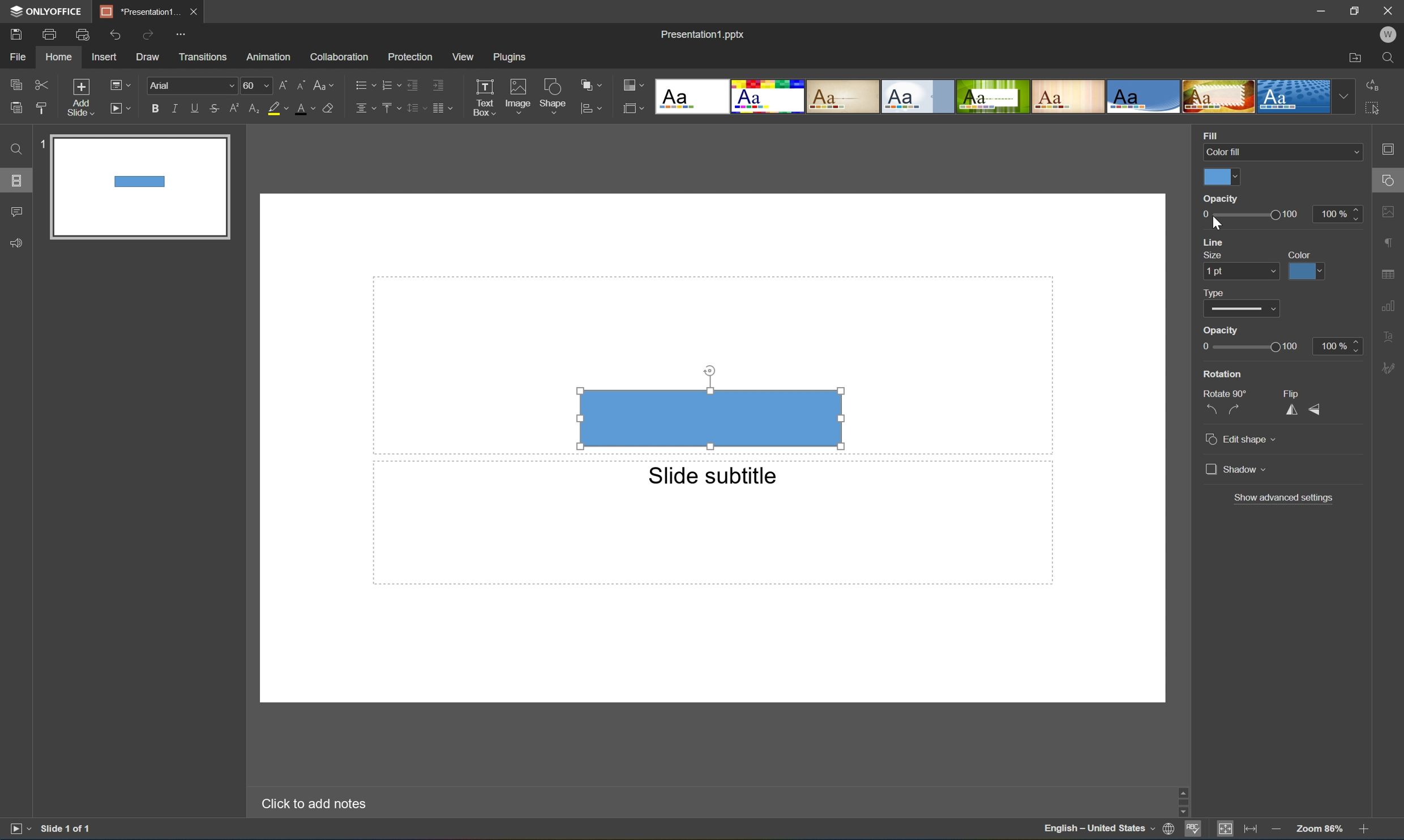  Describe the element at coordinates (1317, 409) in the screenshot. I see `Flip vertically` at that location.